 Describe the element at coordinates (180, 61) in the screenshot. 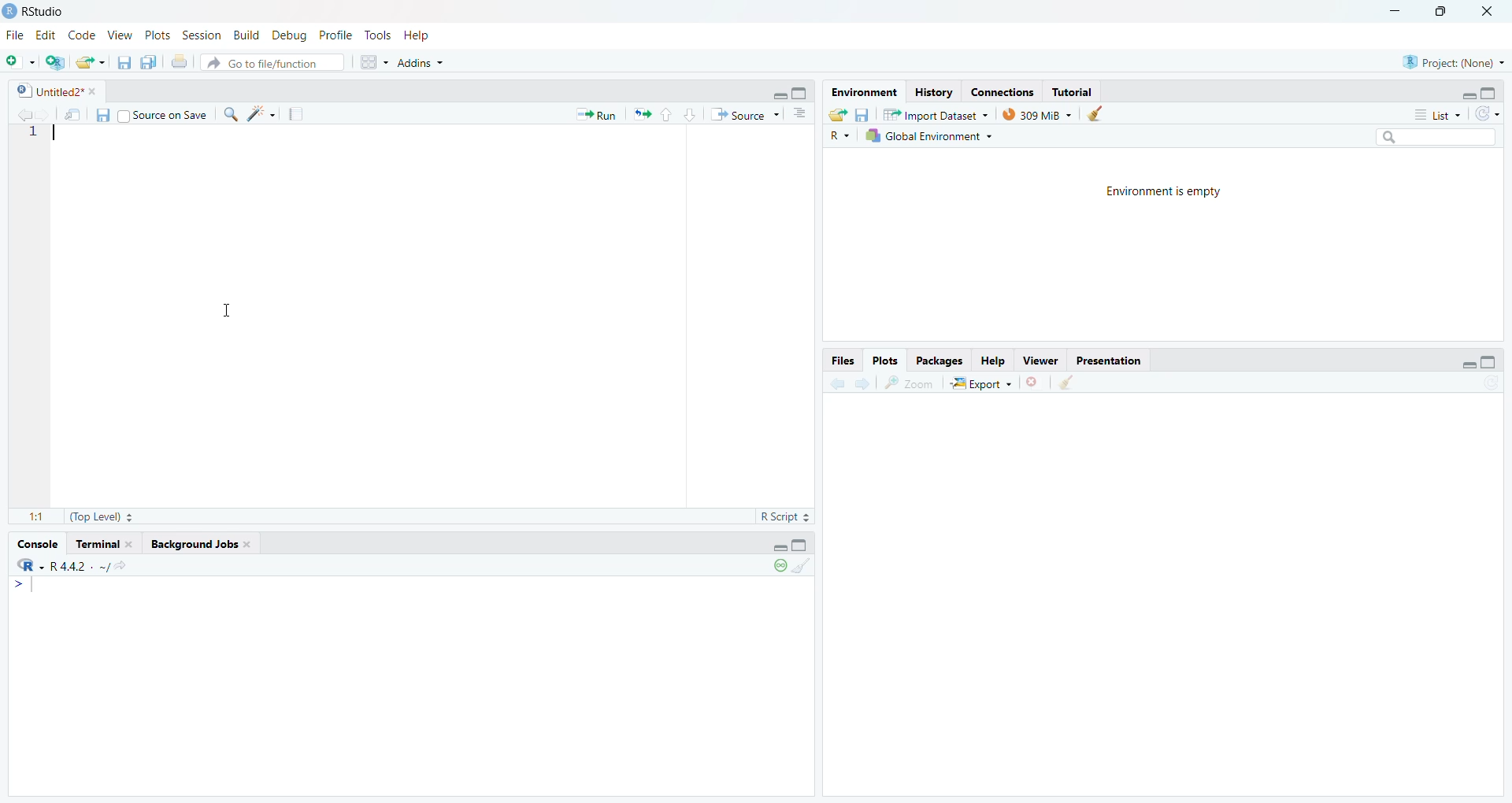

I see `print` at that location.